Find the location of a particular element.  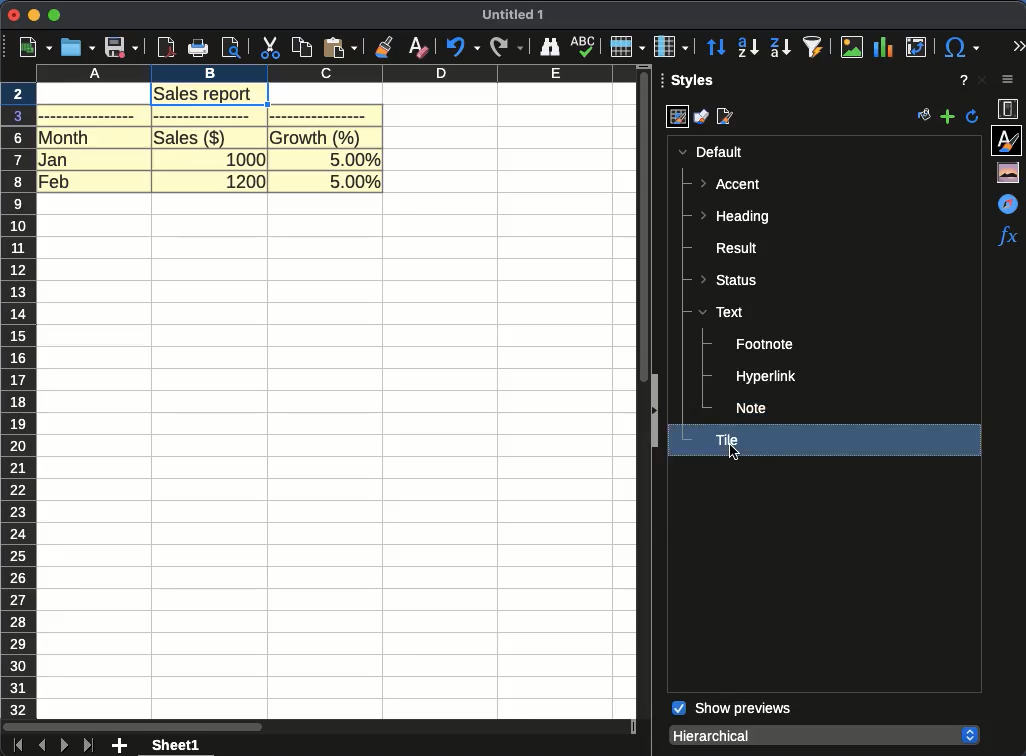

row is located at coordinates (627, 46).